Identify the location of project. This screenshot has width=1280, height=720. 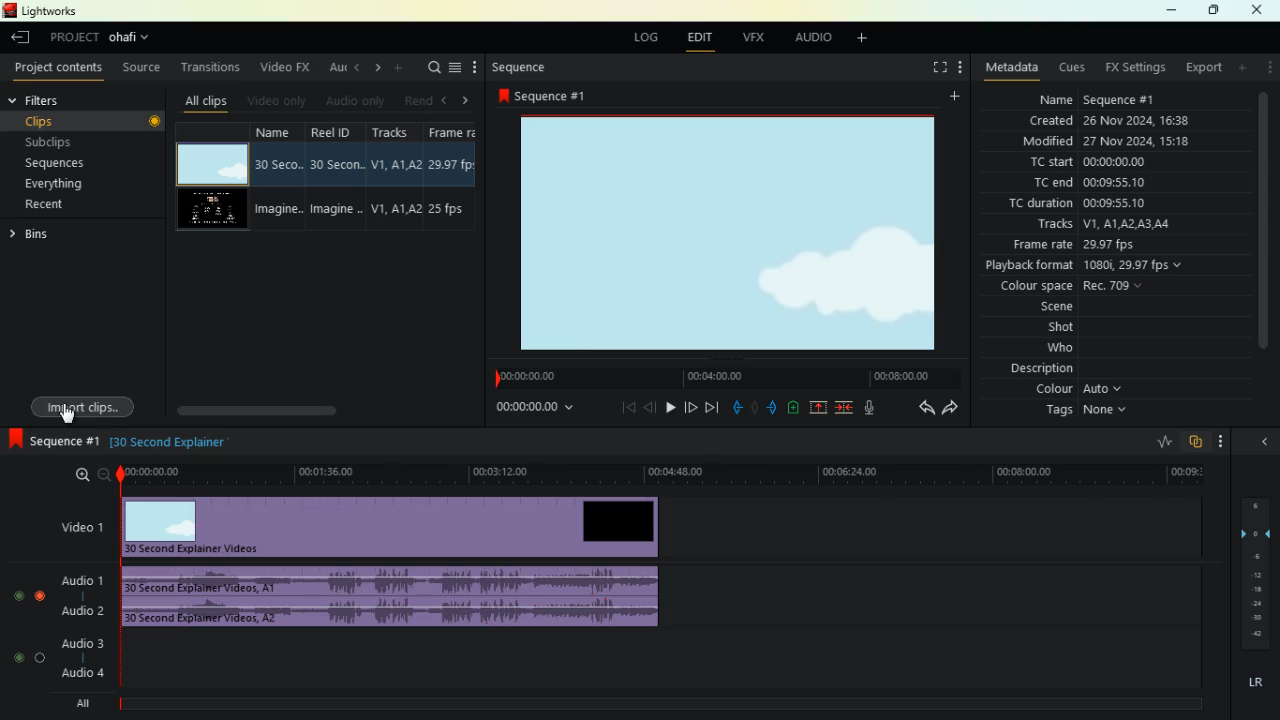
(106, 38).